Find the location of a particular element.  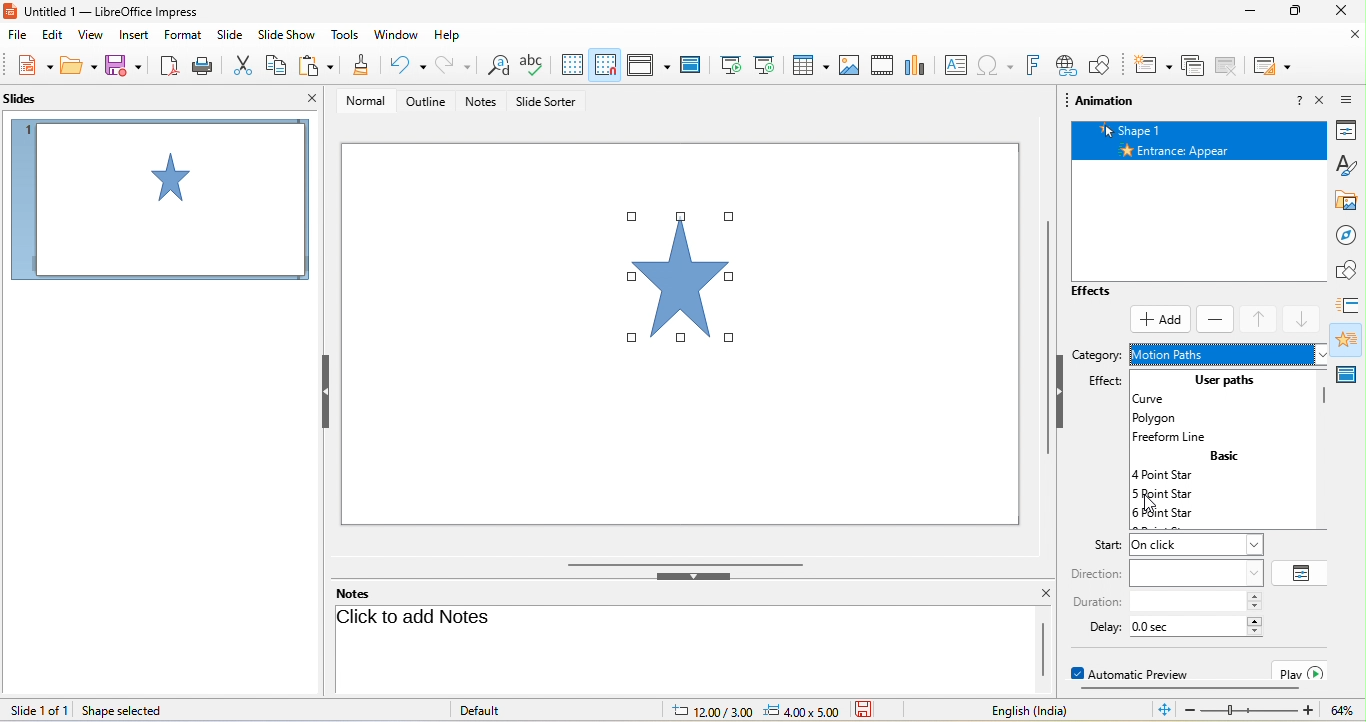

delete slide is located at coordinates (1191, 67).